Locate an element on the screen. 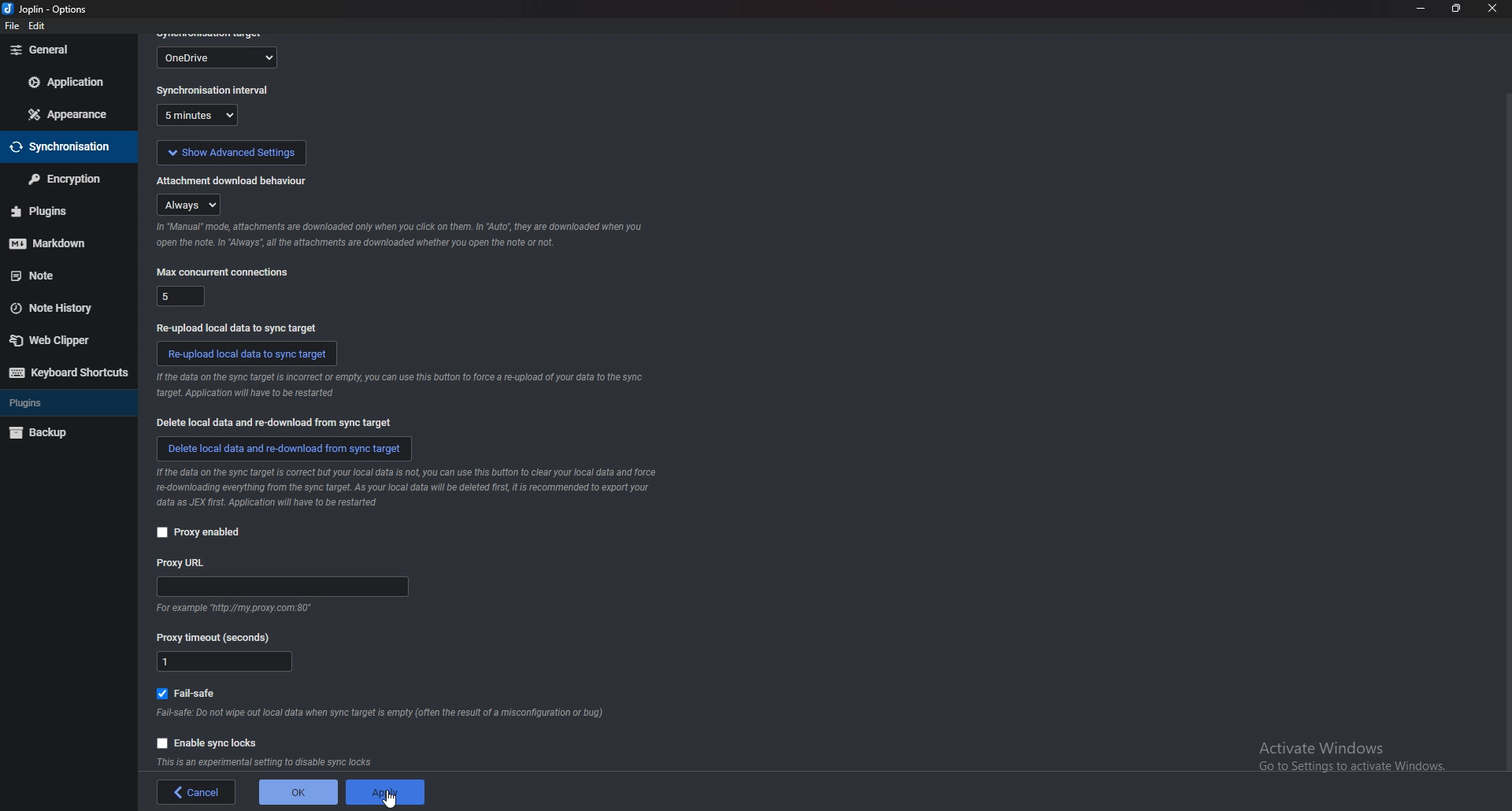 The height and width of the screenshot is (811, 1512). max concurrent connections is located at coordinates (222, 272).